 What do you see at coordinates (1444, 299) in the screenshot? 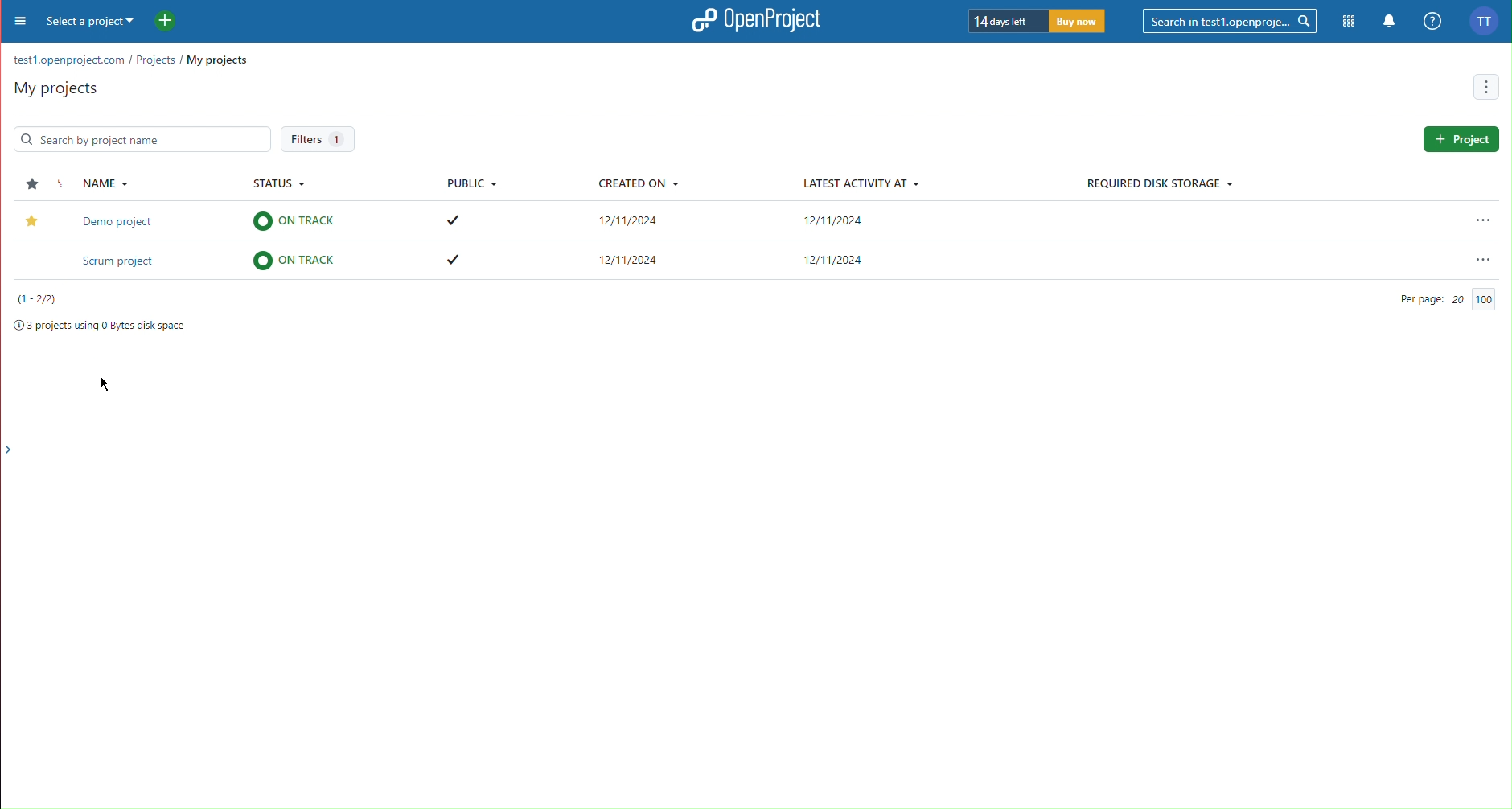
I see `Per Page` at bounding box center [1444, 299].